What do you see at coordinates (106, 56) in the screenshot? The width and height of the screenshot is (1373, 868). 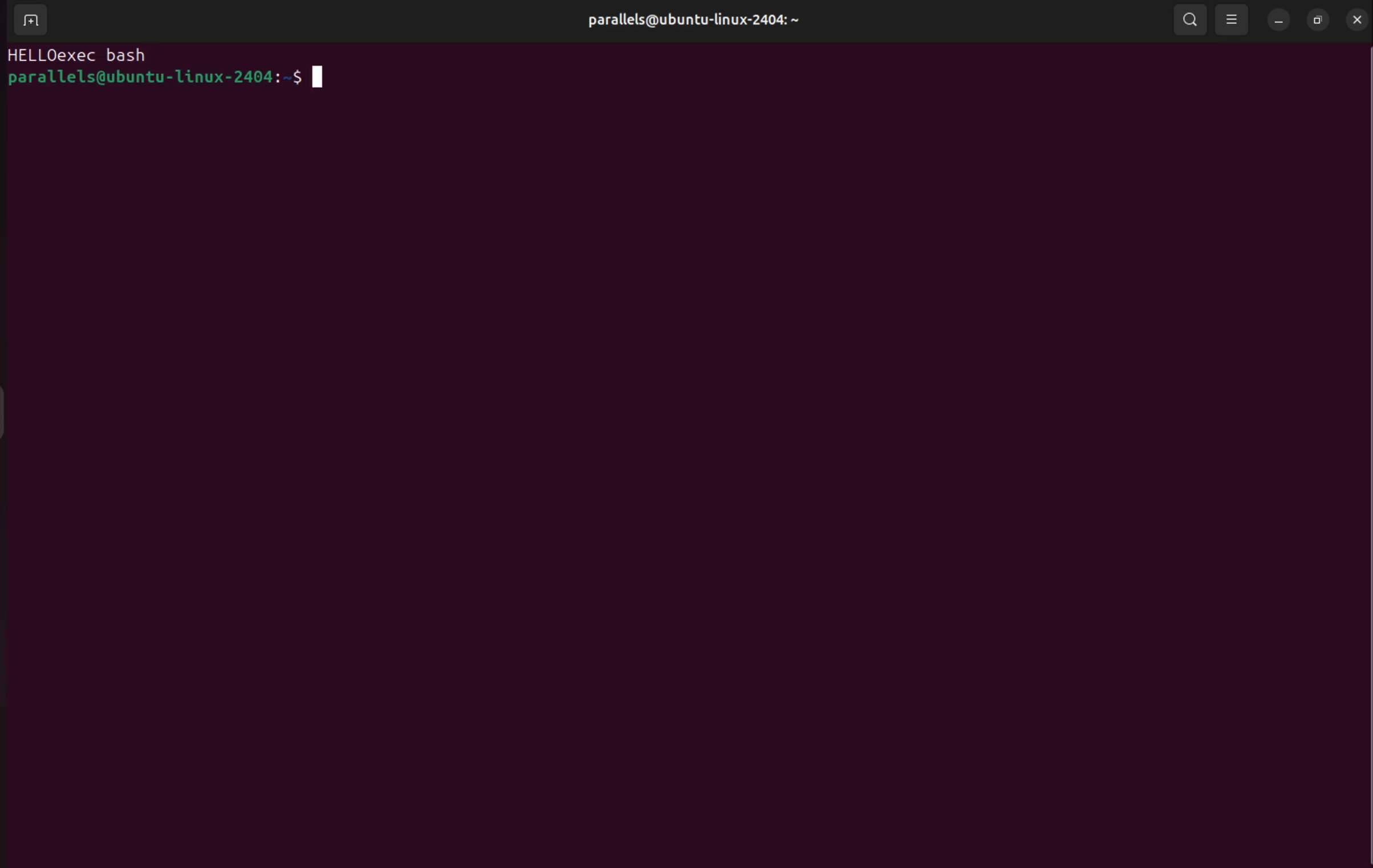 I see `exec bash` at bounding box center [106, 56].